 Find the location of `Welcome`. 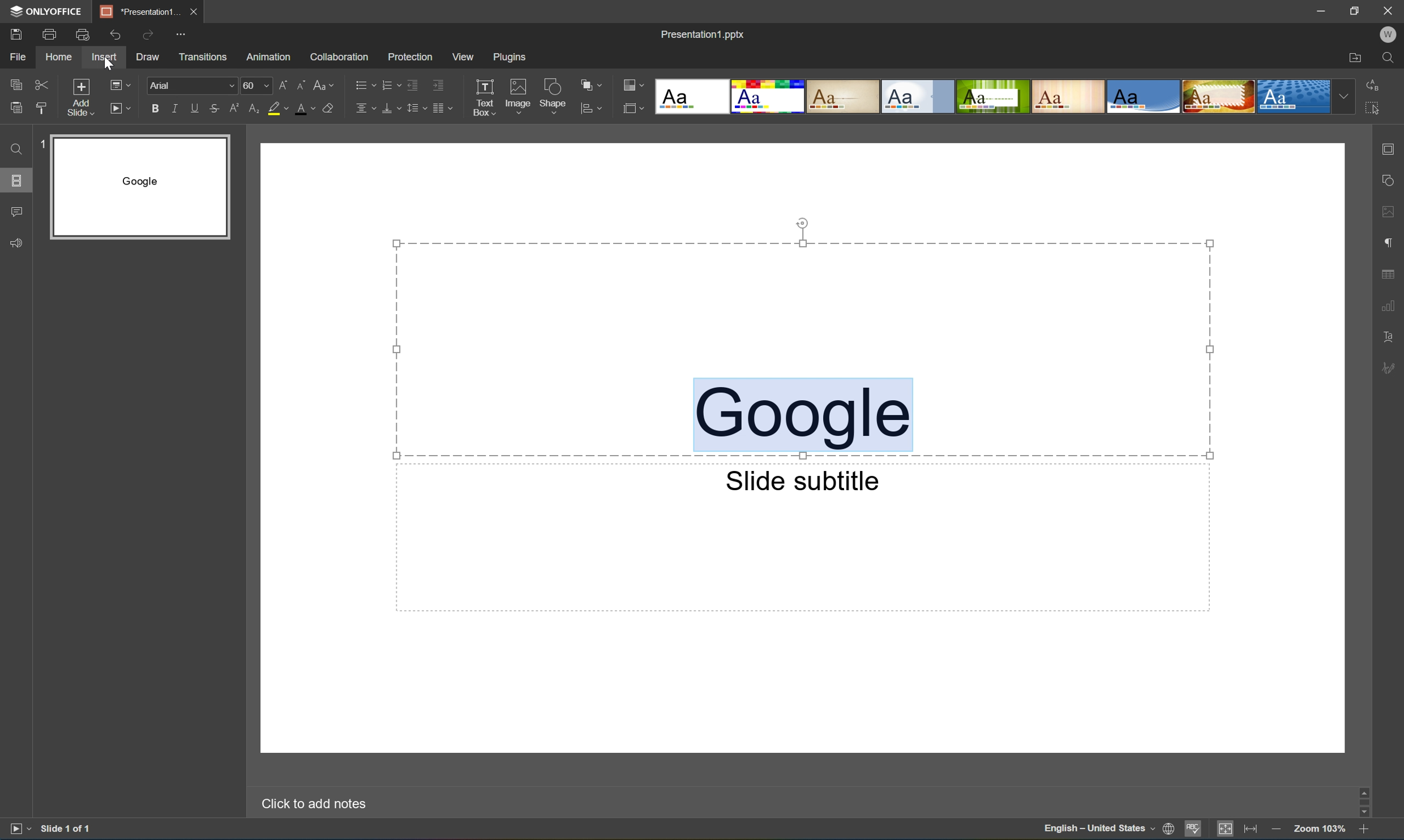

Welcome is located at coordinates (1388, 35).